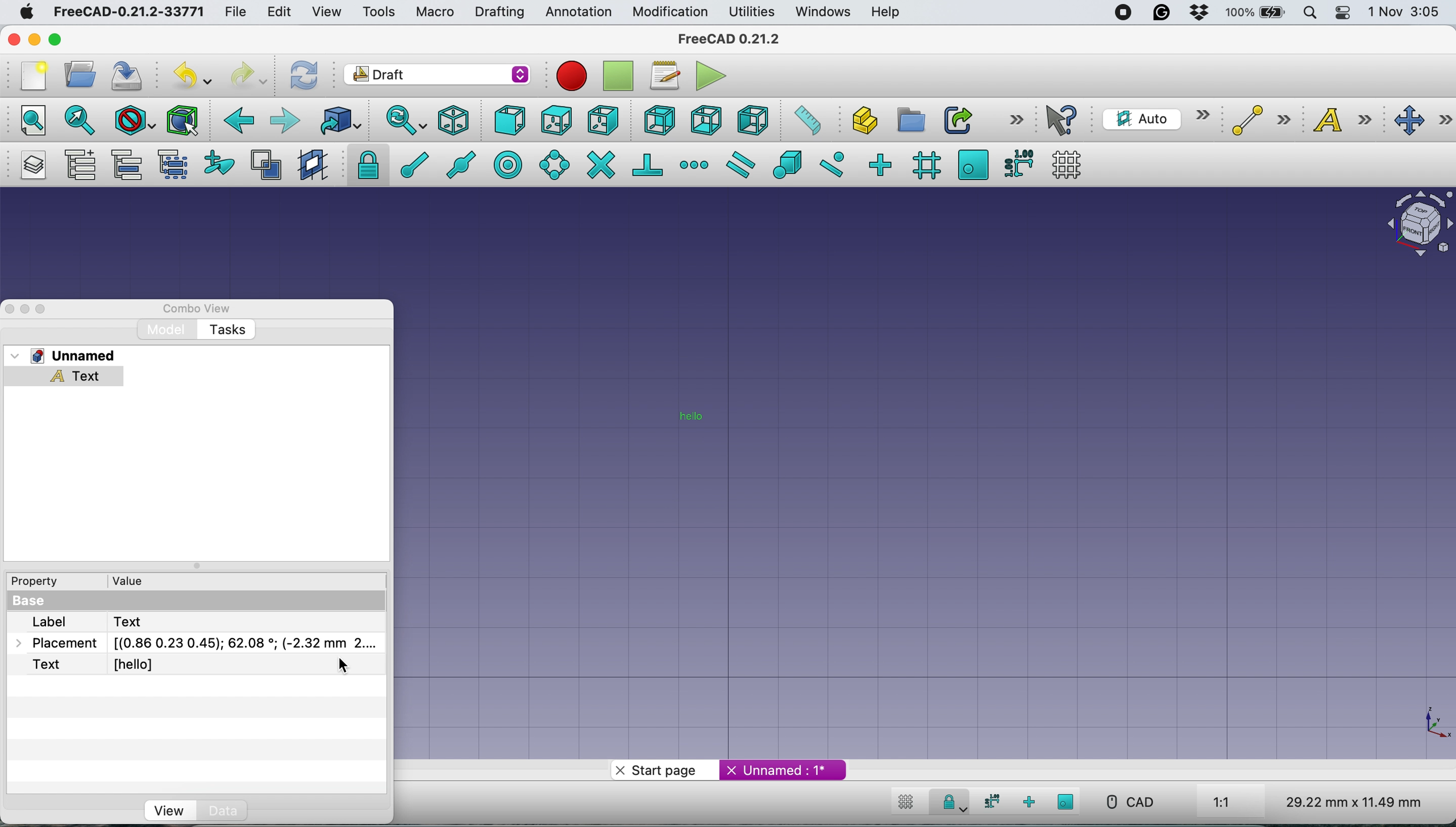 The height and width of the screenshot is (827, 1456). What do you see at coordinates (923, 166) in the screenshot?
I see `snap grid` at bounding box center [923, 166].